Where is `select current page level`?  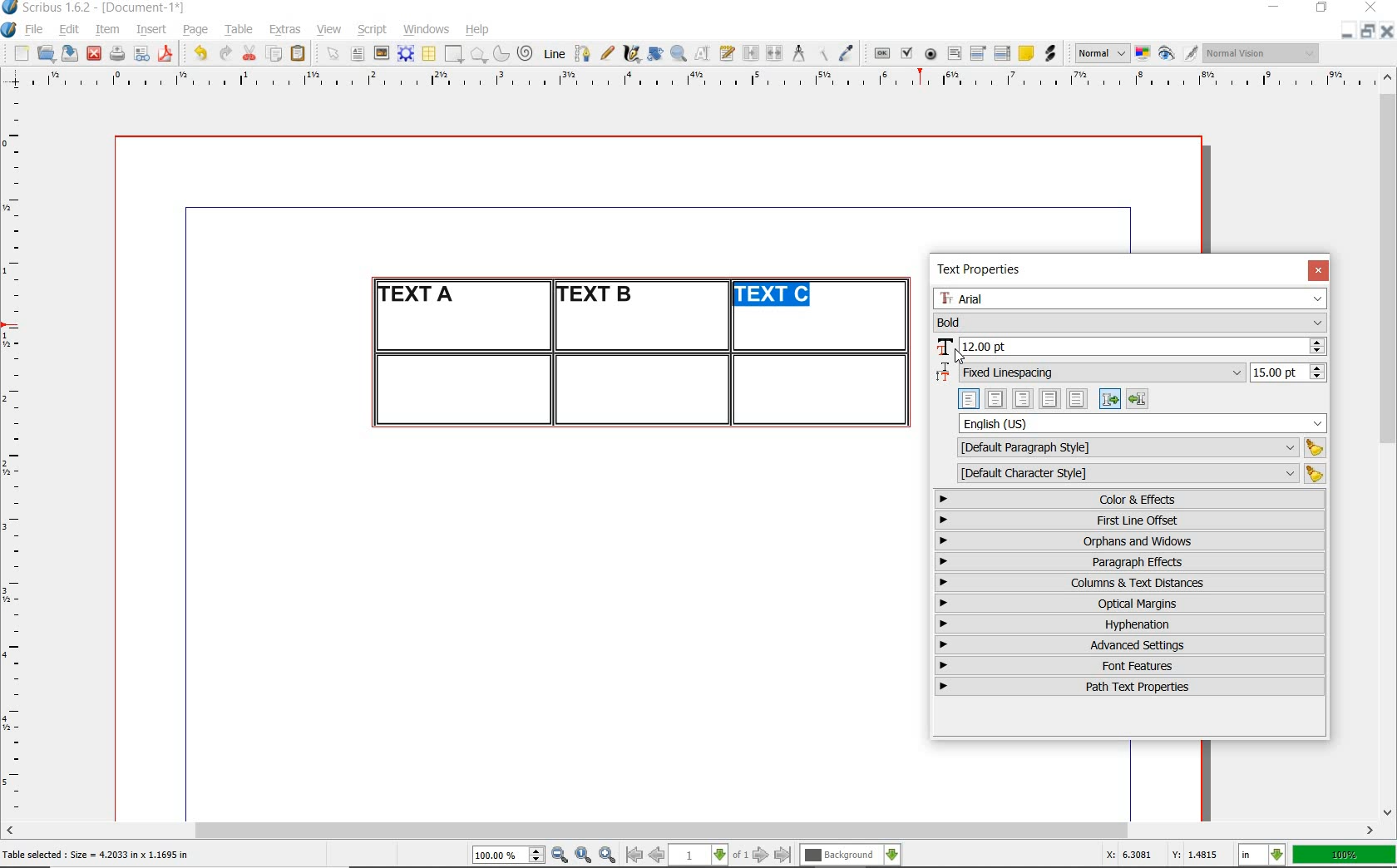
select current page level is located at coordinates (708, 855).